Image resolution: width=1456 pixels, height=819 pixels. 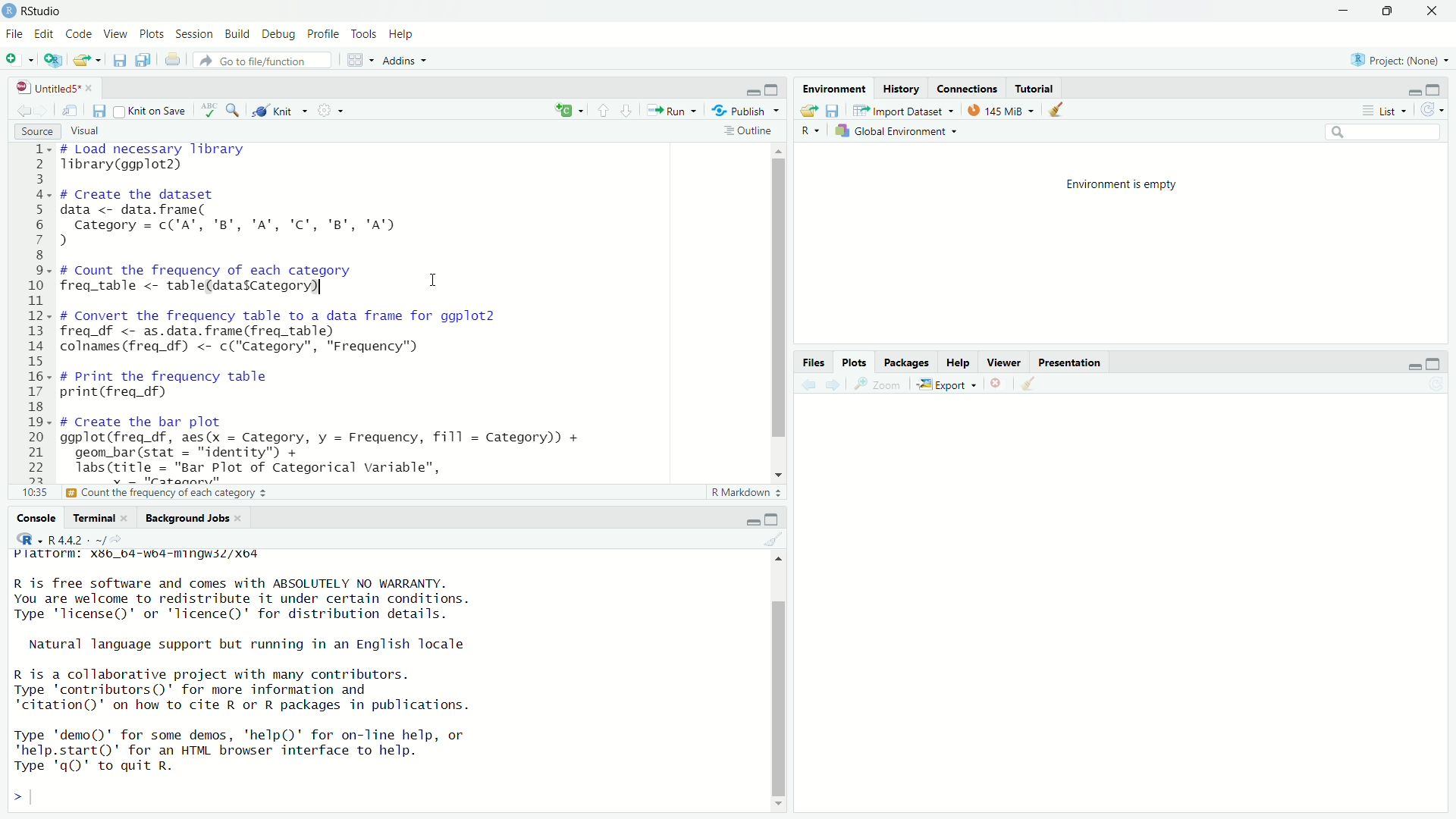 I want to click on tools, so click(x=366, y=34).